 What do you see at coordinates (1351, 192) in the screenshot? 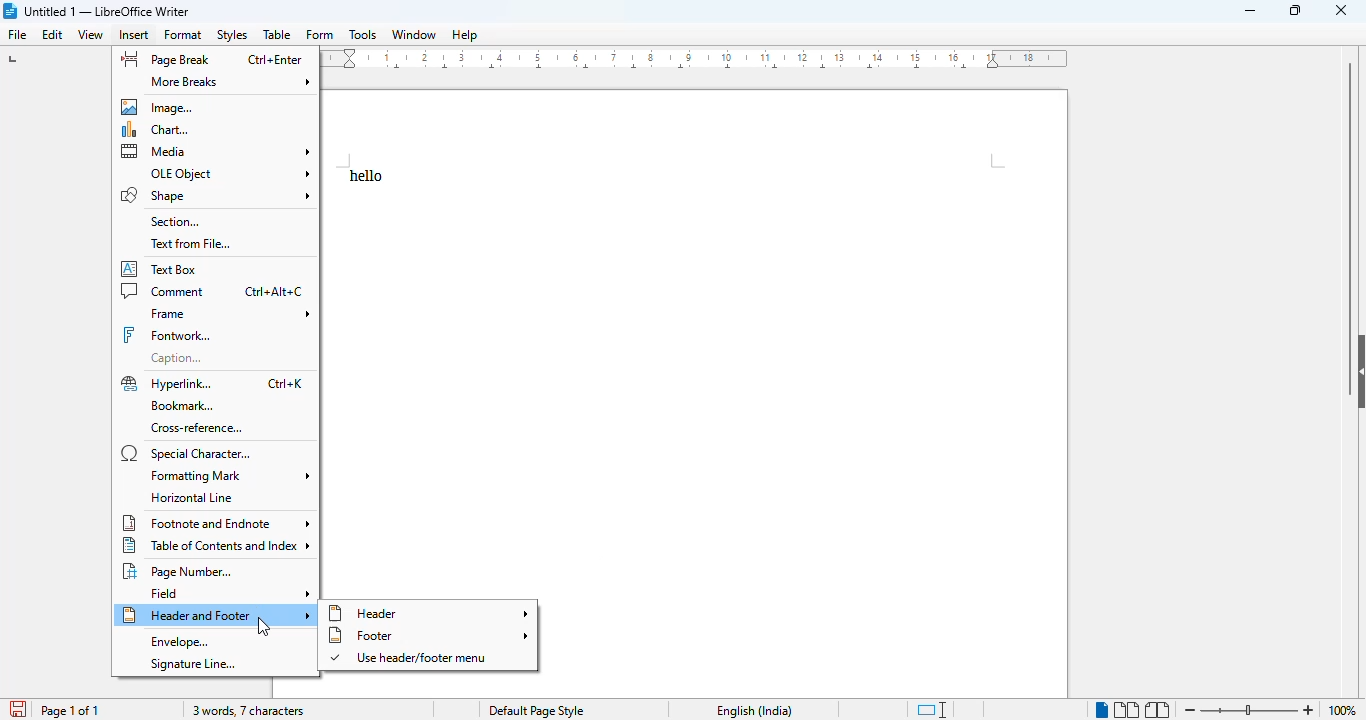
I see `vertical scroll bar` at bounding box center [1351, 192].